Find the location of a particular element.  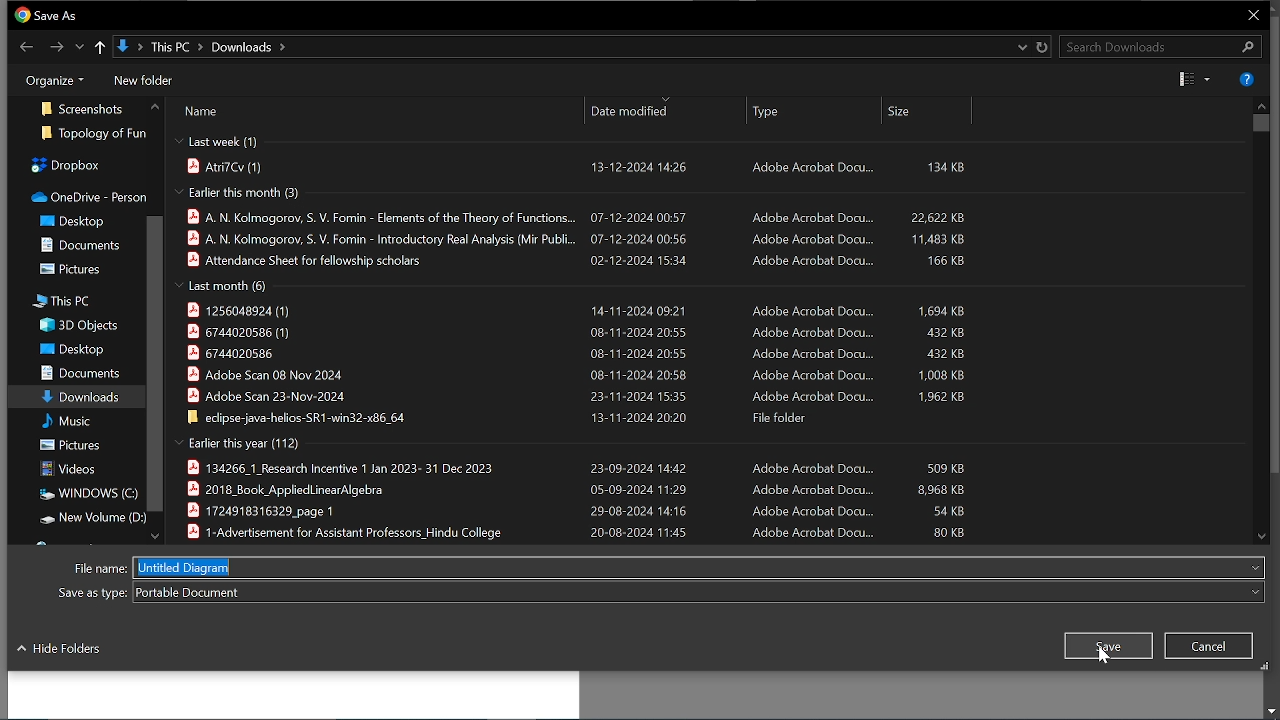

22,622 KB is located at coordinates (936, 217).